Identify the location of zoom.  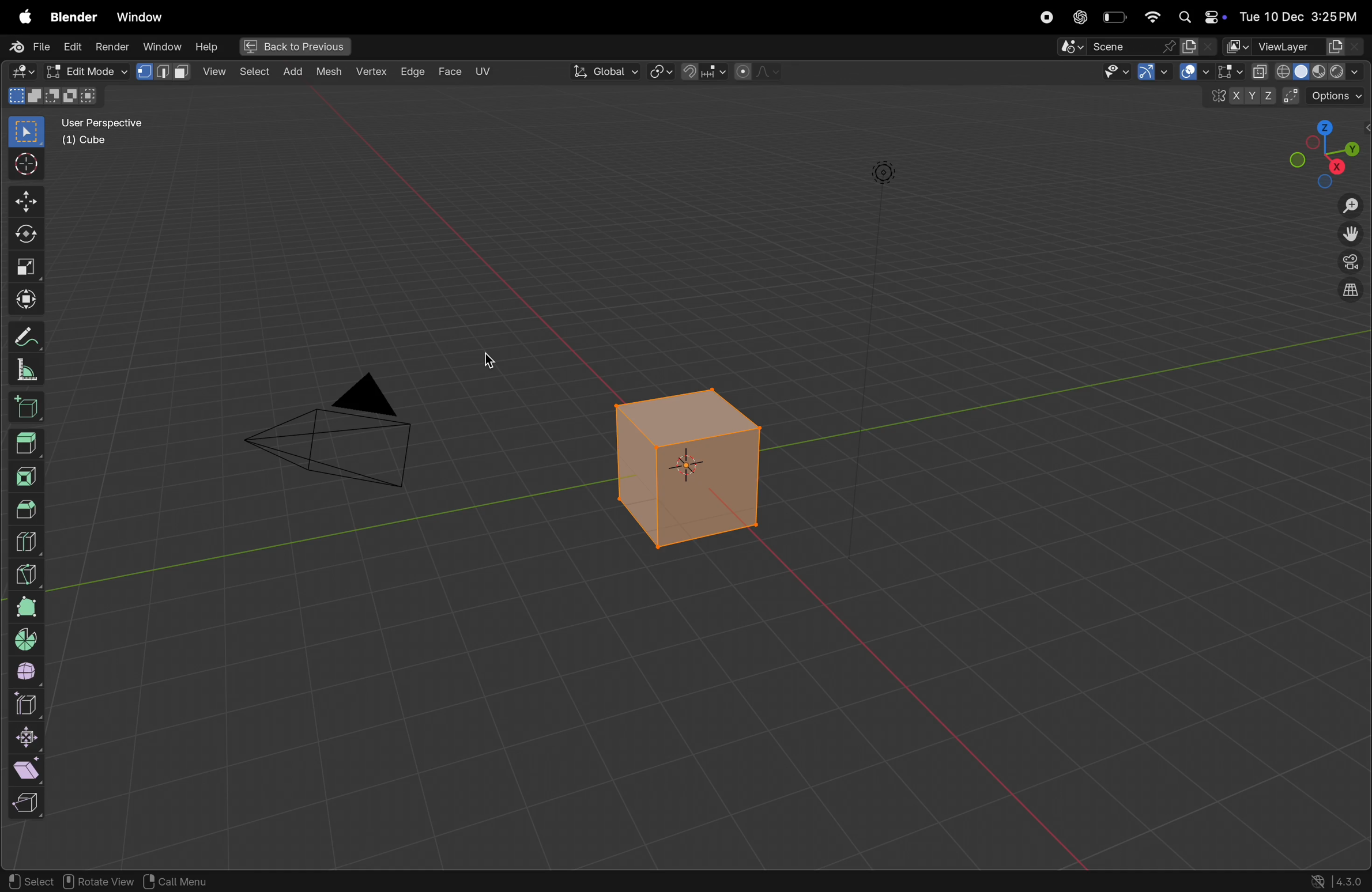
(1349, 207).